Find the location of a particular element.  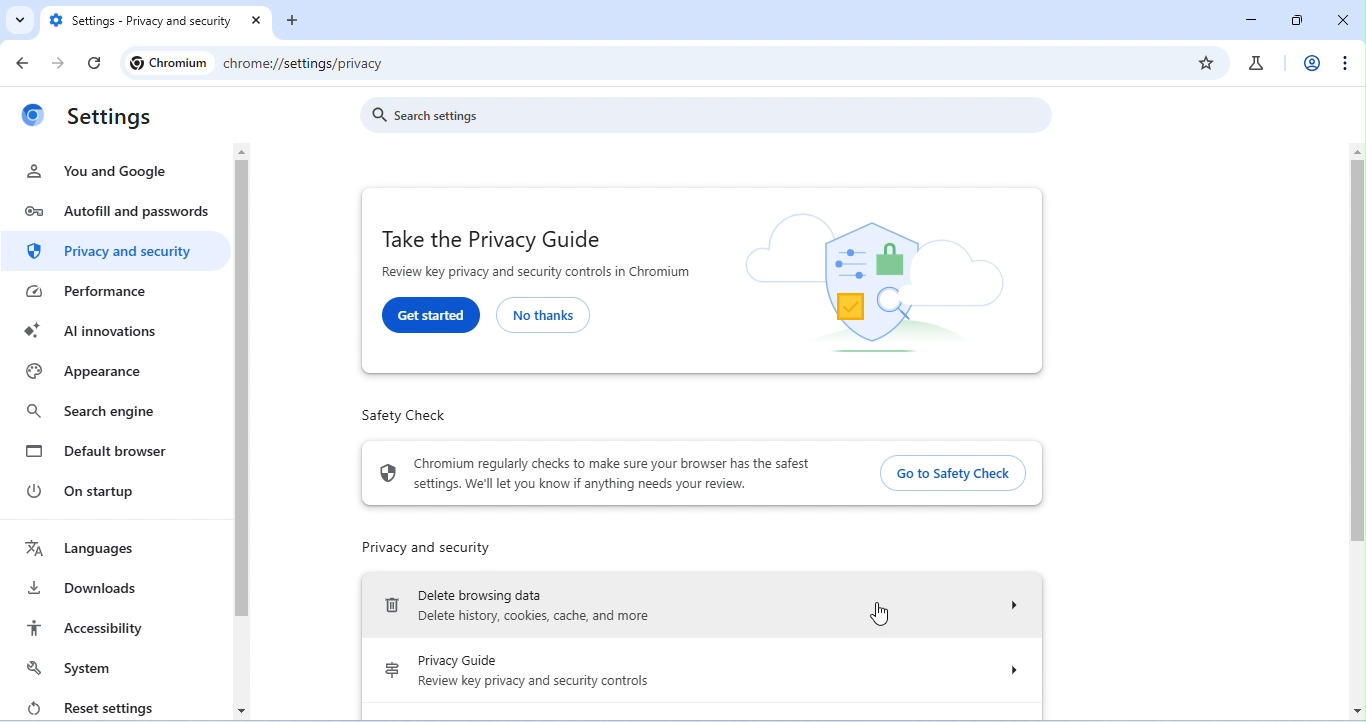

safety check is located at coordinates (405, 415).